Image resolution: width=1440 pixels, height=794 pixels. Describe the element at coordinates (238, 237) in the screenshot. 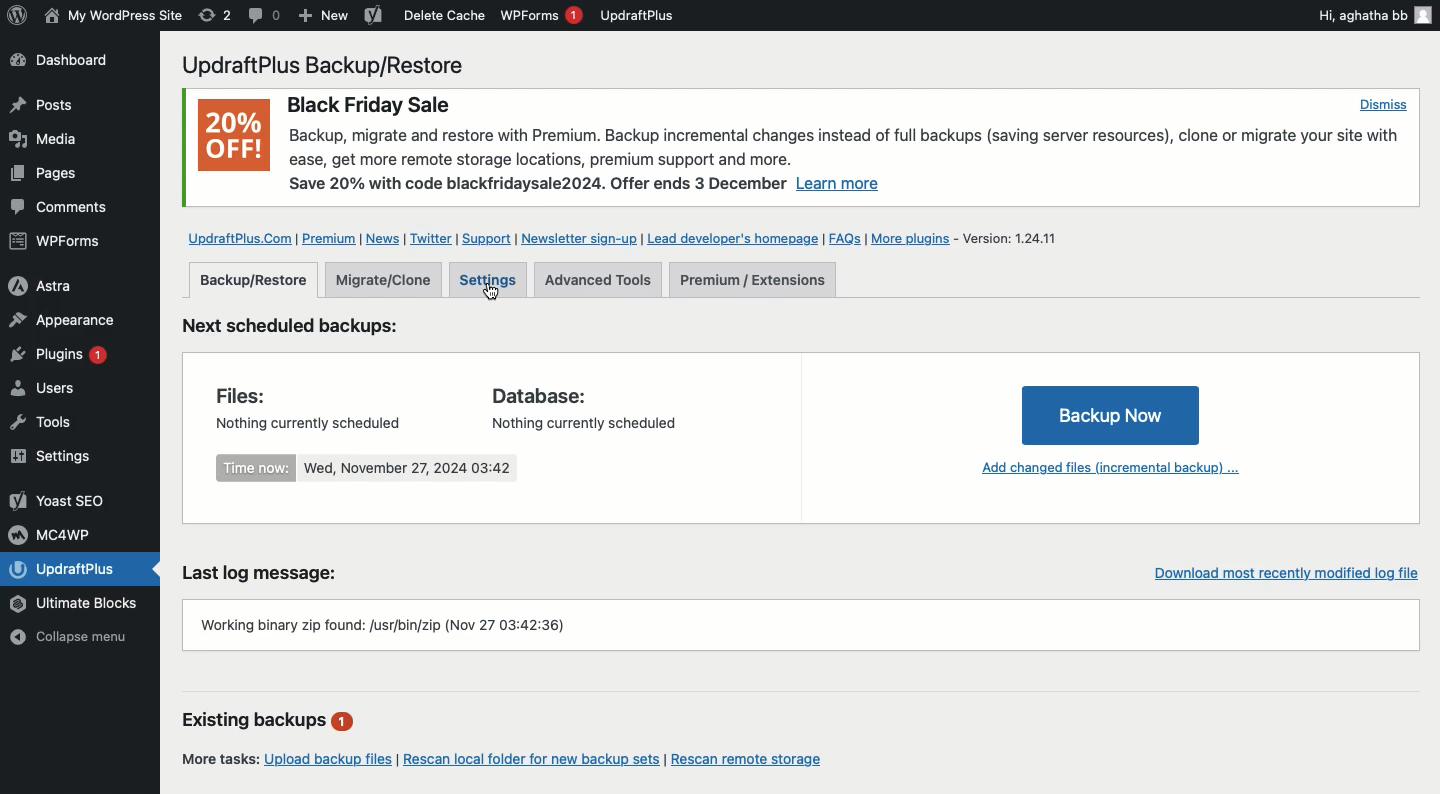

I see `UpdraftPlus.com` at that location.